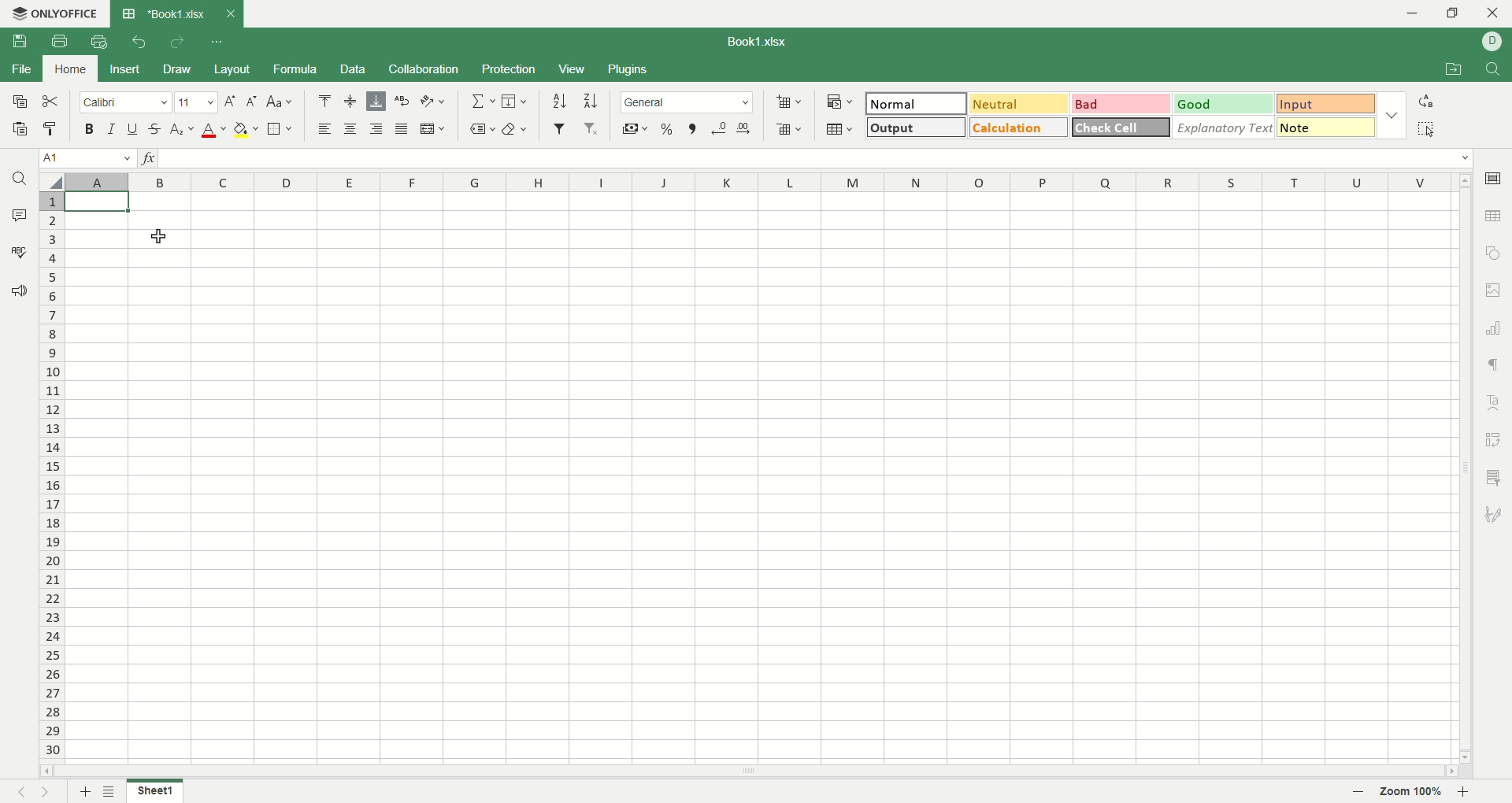 The width and height of the screenshot is (1512, 803). I want to click on username, so click(1493, 42).